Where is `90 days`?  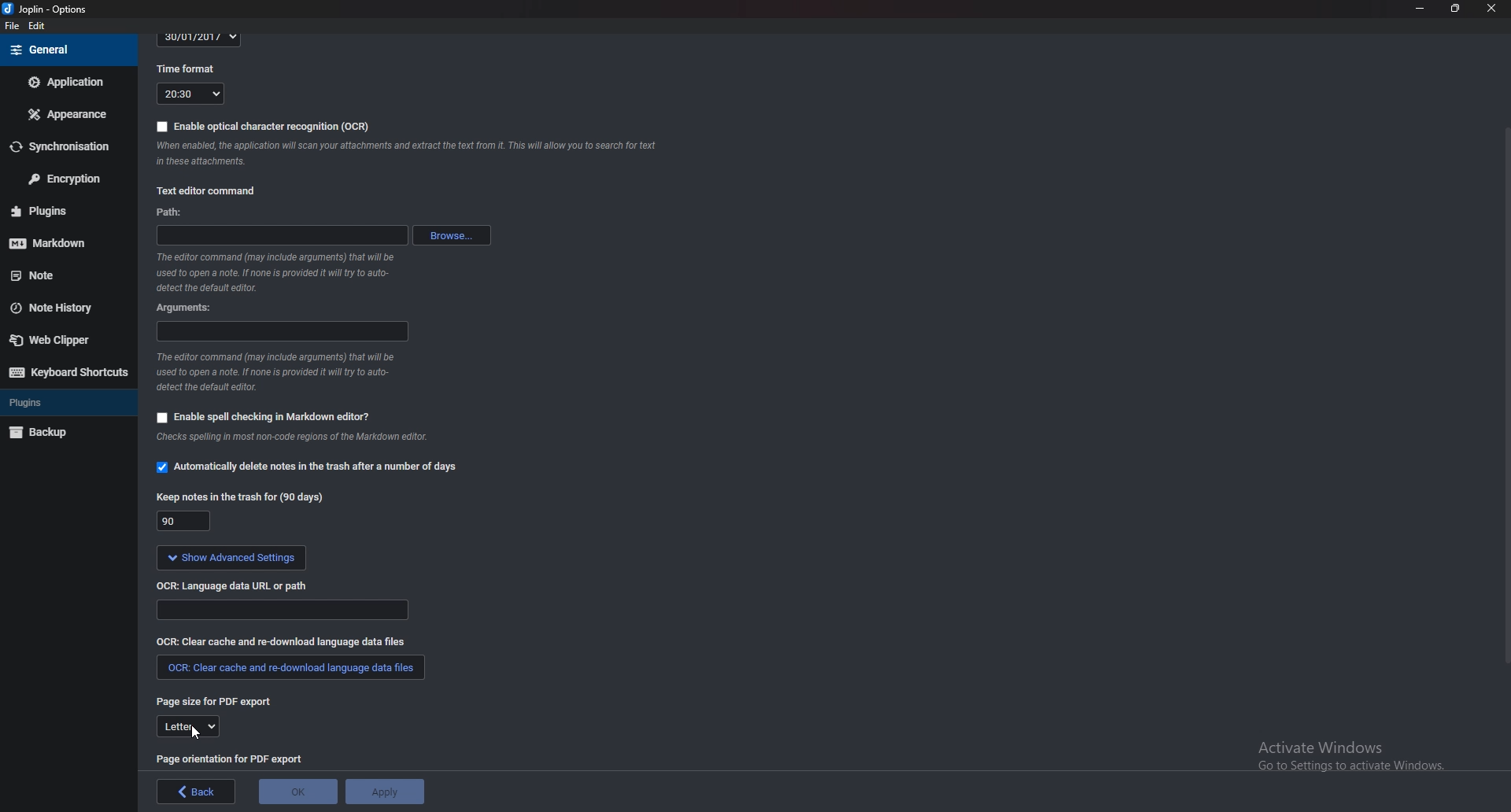 90 days is located at coordinates (185, 522).